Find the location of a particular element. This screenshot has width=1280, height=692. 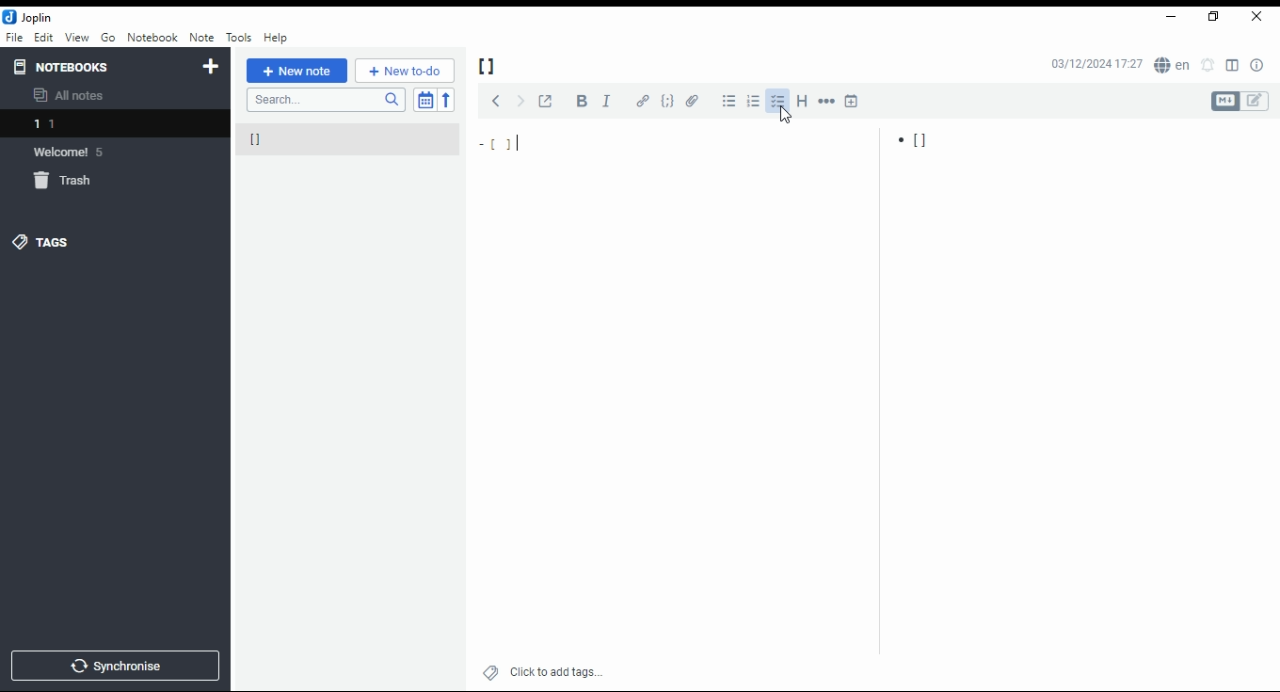

New to-do is located at coordinates (405, 70).